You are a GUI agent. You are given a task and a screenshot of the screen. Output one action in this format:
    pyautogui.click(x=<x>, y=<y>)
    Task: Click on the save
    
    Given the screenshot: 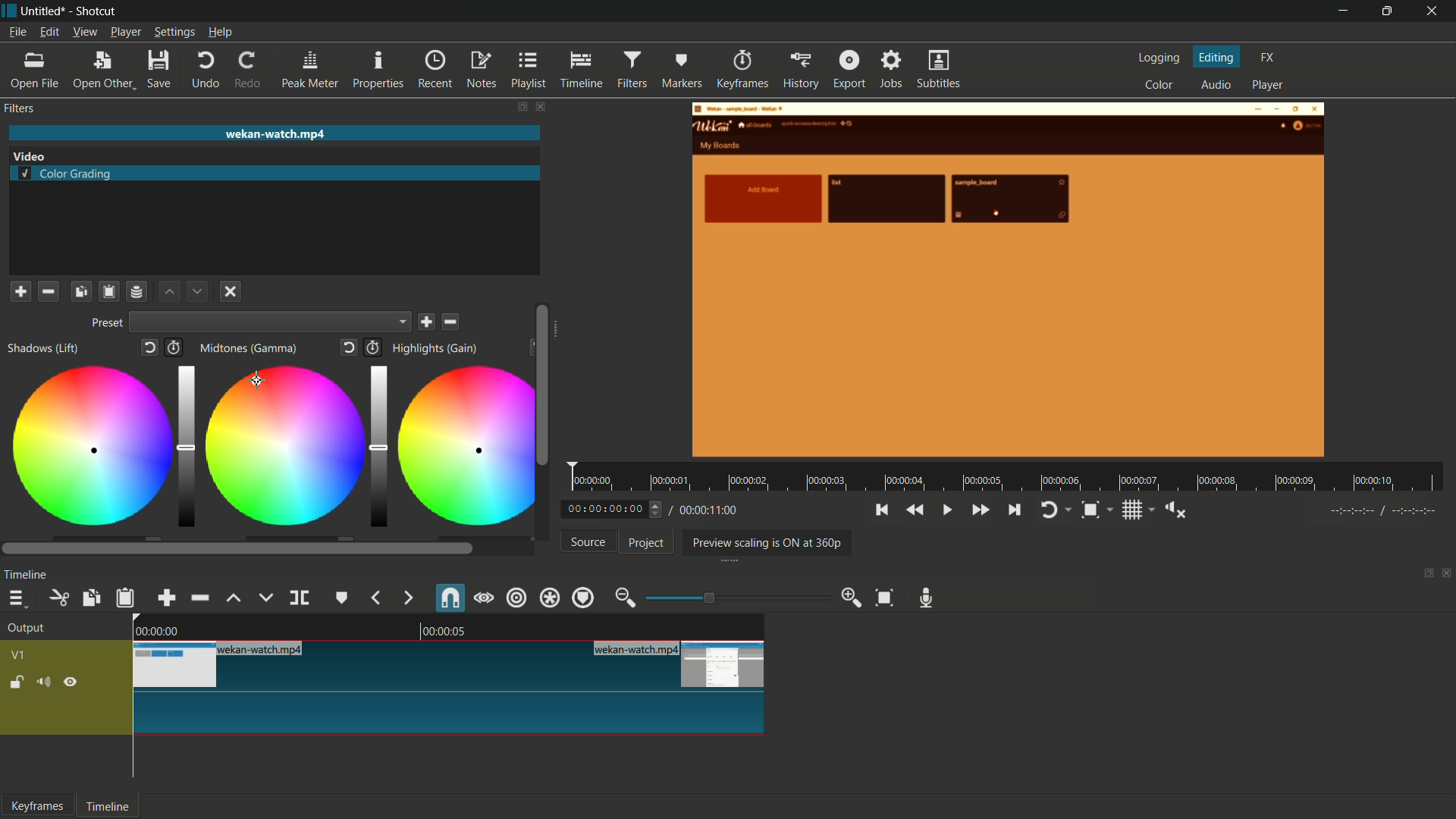 What is the action you would take?
    pyautogui.click(x=162, y=69)
    